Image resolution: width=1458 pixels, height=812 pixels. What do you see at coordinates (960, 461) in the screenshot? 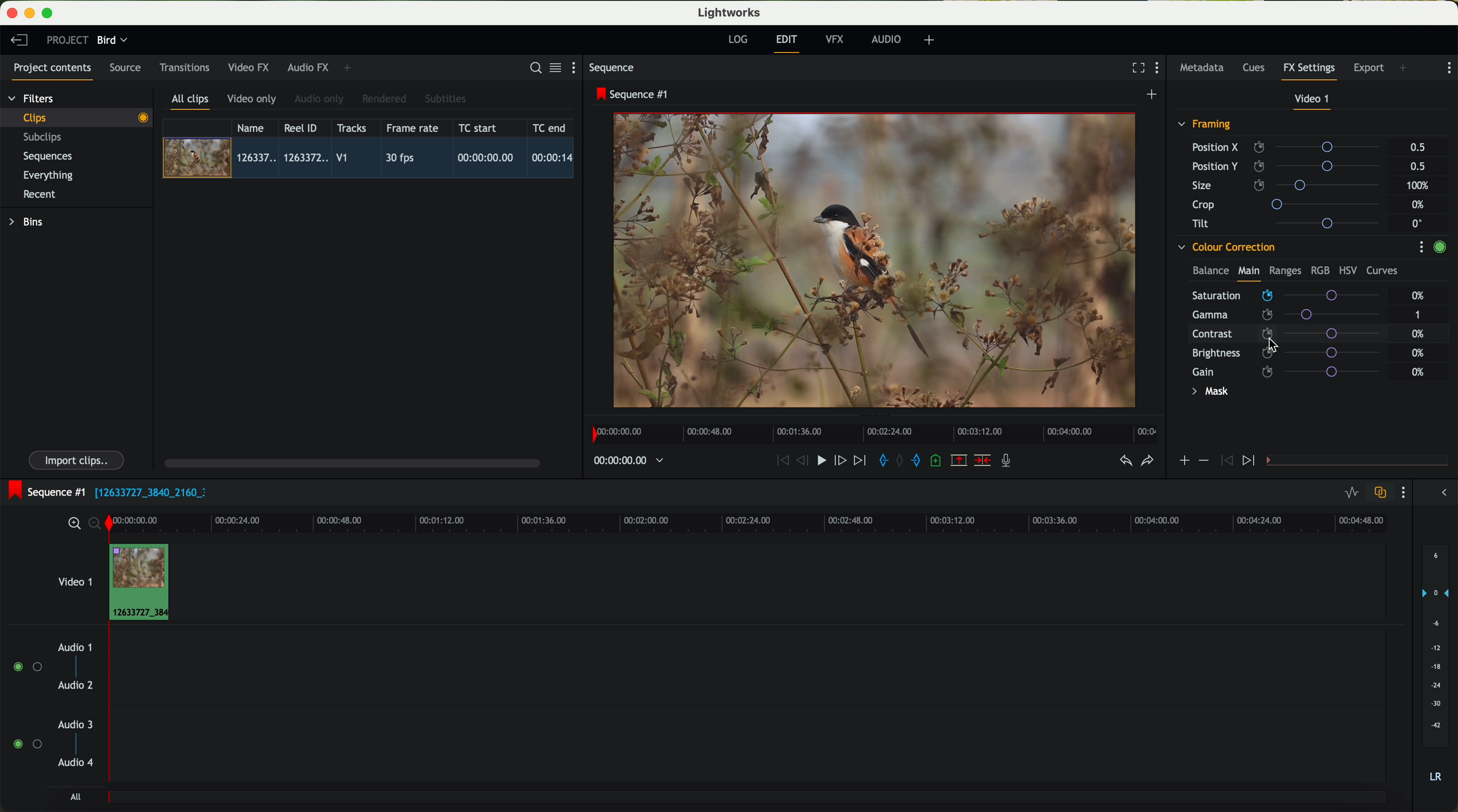
I see `remove the marked section` at bounding box center [960, 461].